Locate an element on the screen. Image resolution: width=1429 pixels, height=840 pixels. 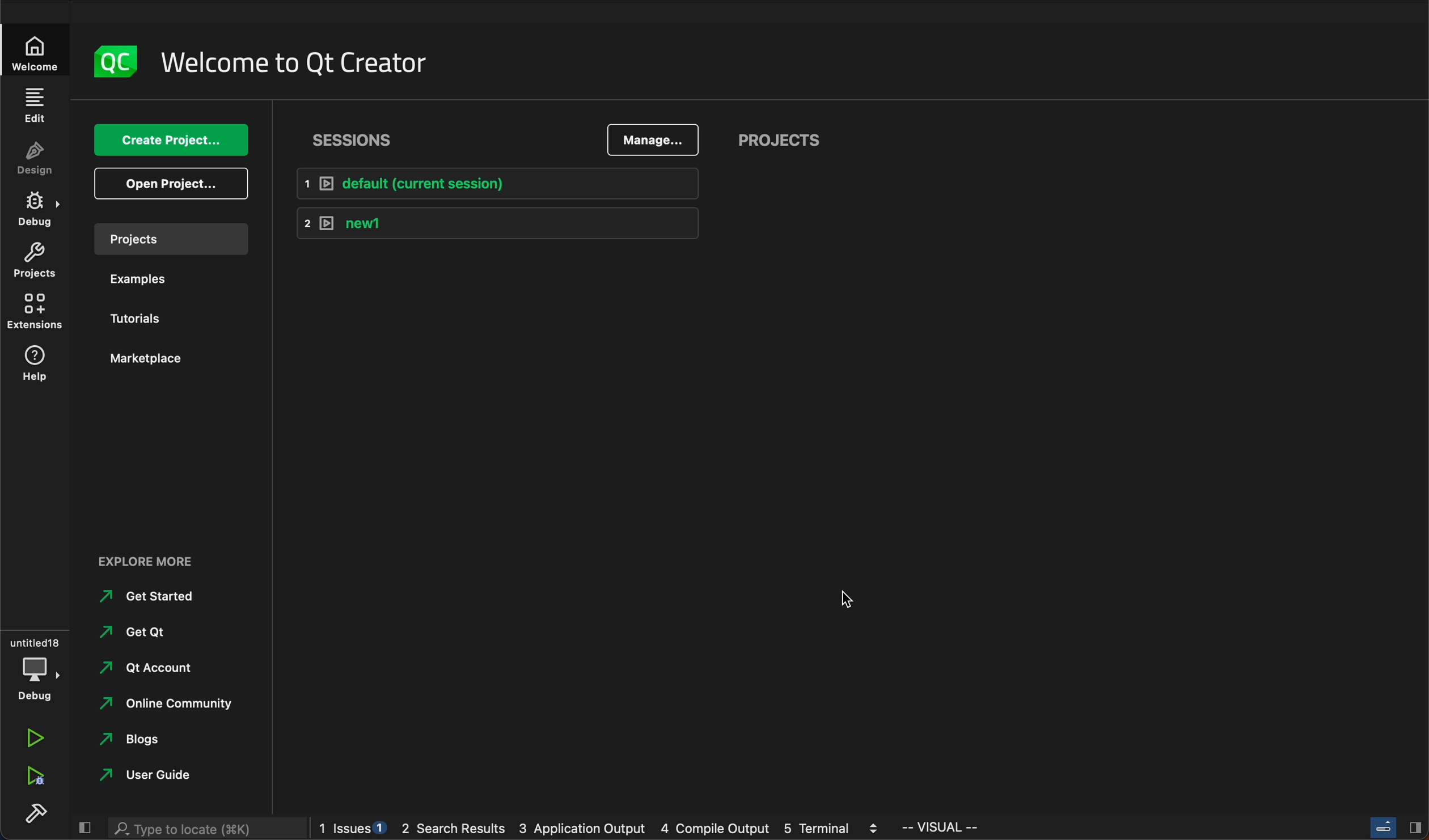
projects is located at coordinates (793, 139).